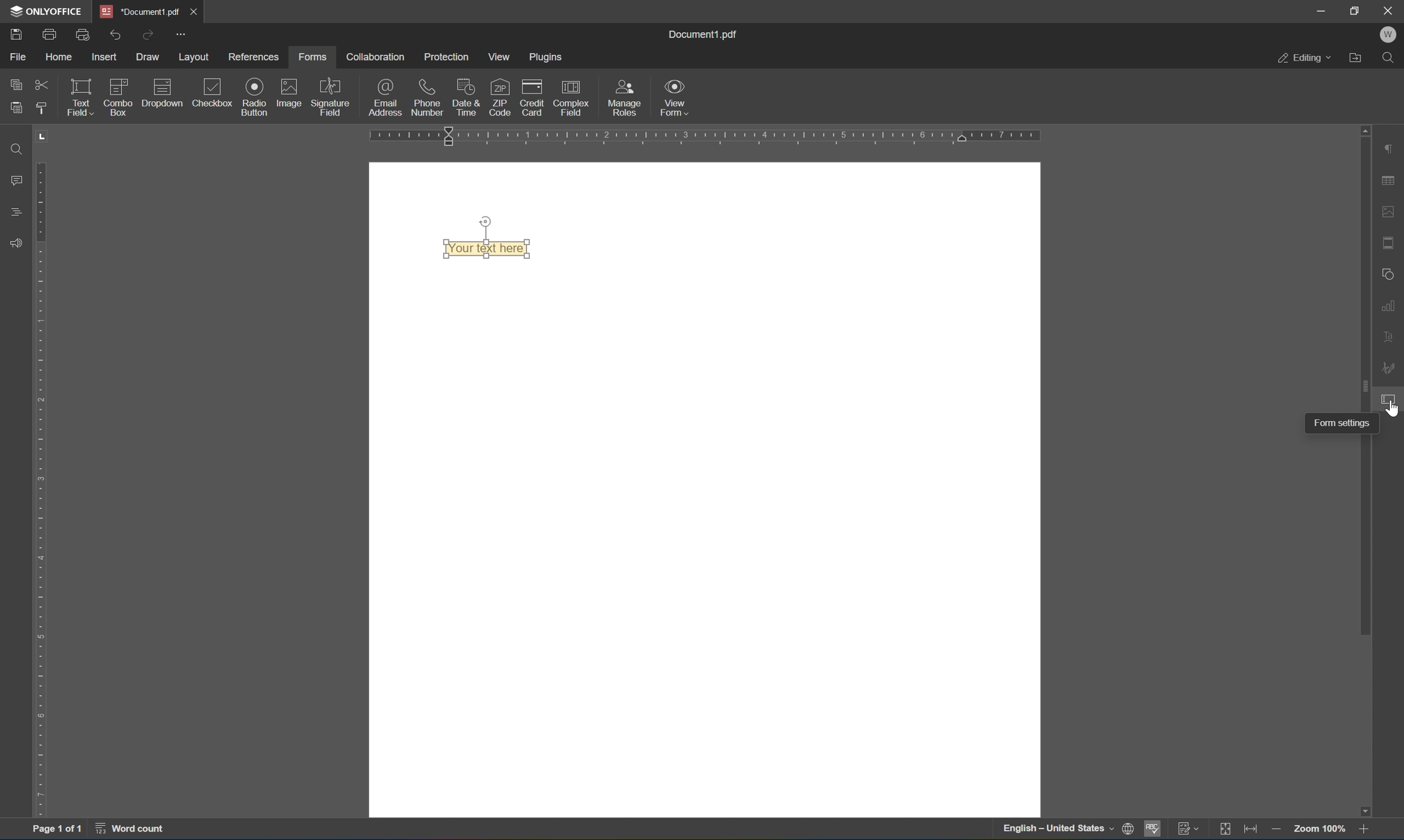  Describe the element at coordinates (1392, 340) in the screenshot. I see `text art settings` at that location.